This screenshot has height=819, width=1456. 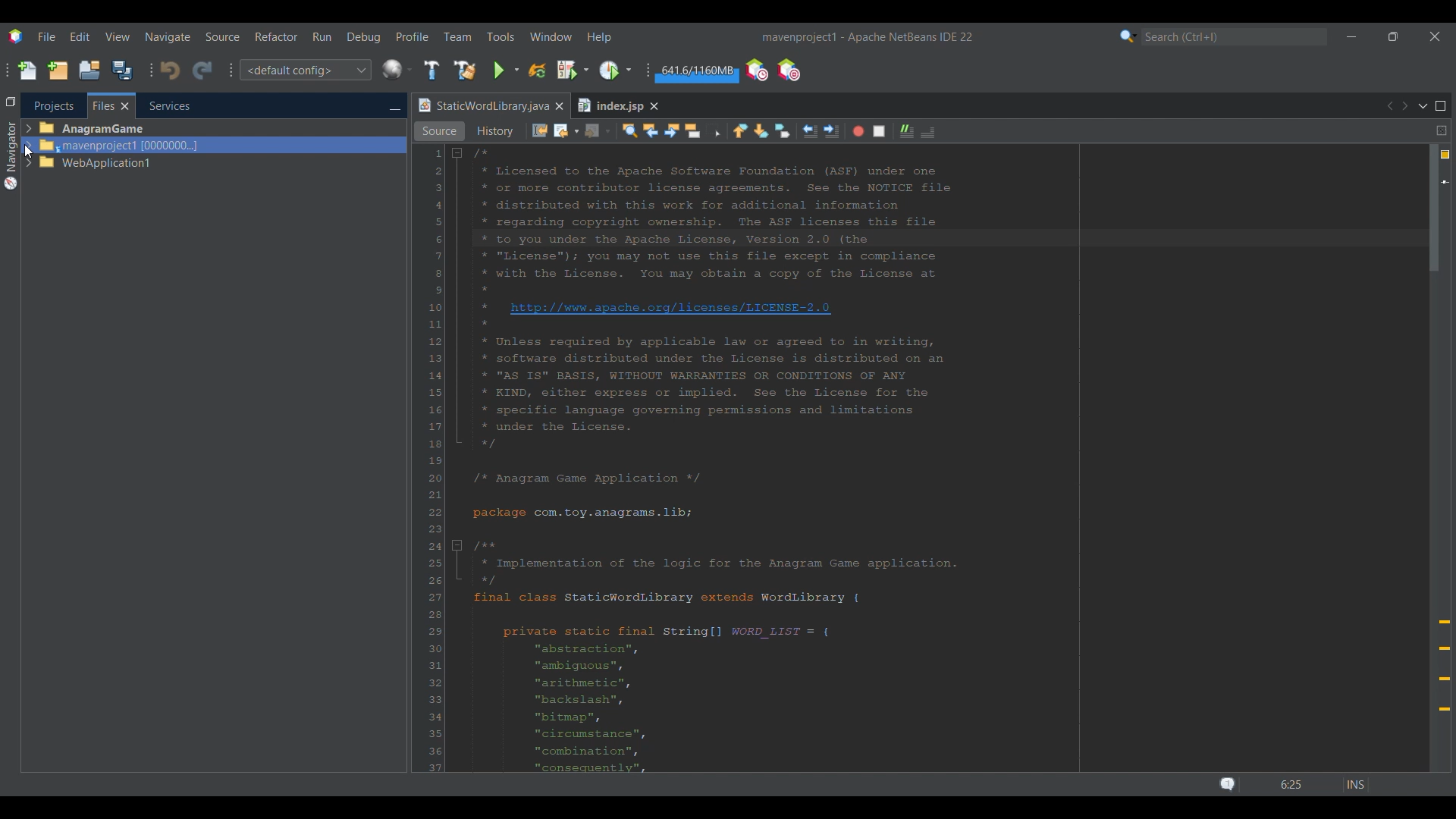 What do you see at coordinates (1393, 36) in the screenshot?
I see `Show in smaller tab` at bounding box center [1393, 36].